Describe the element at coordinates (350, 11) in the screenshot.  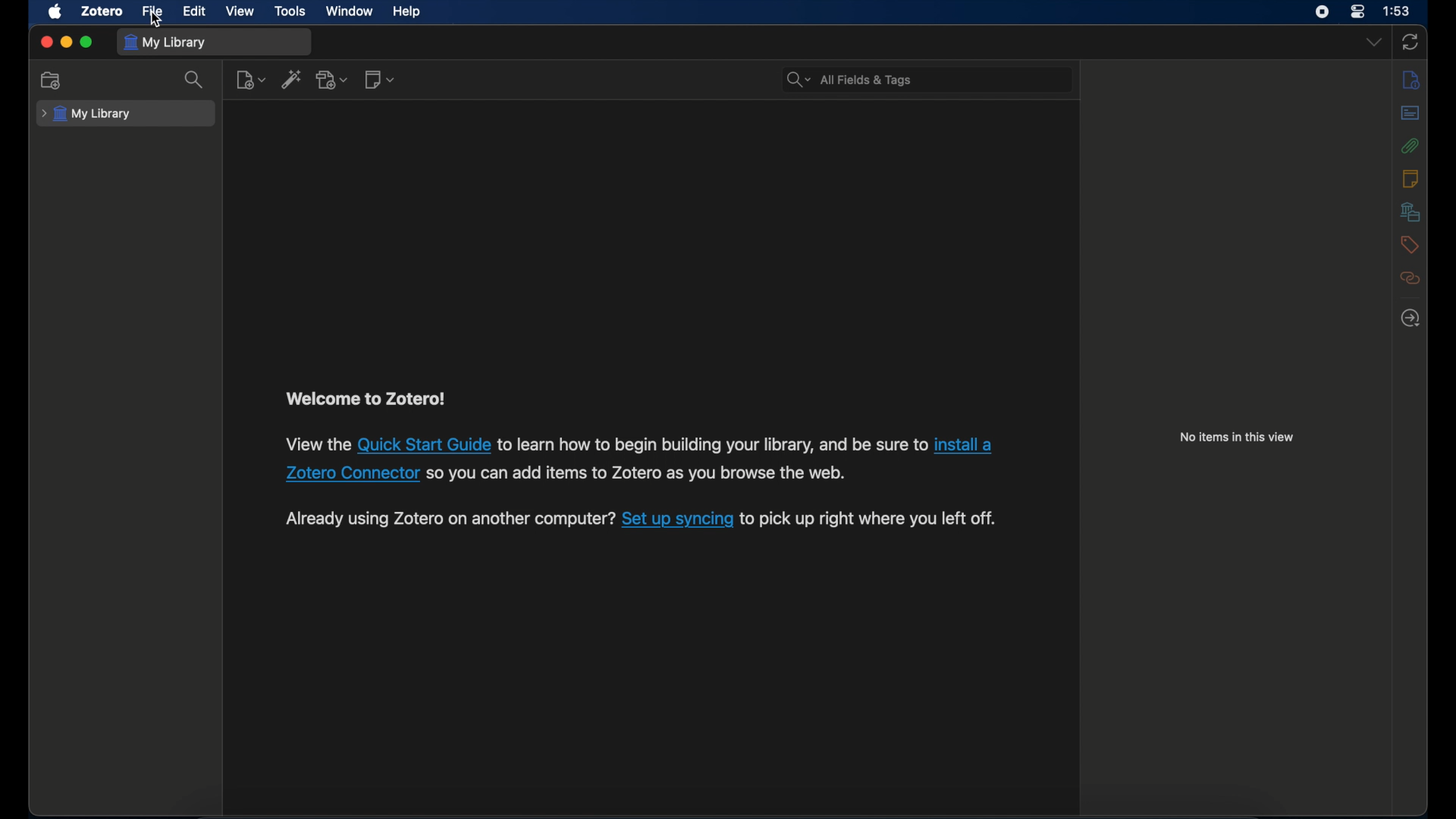
I see `window` at that location.